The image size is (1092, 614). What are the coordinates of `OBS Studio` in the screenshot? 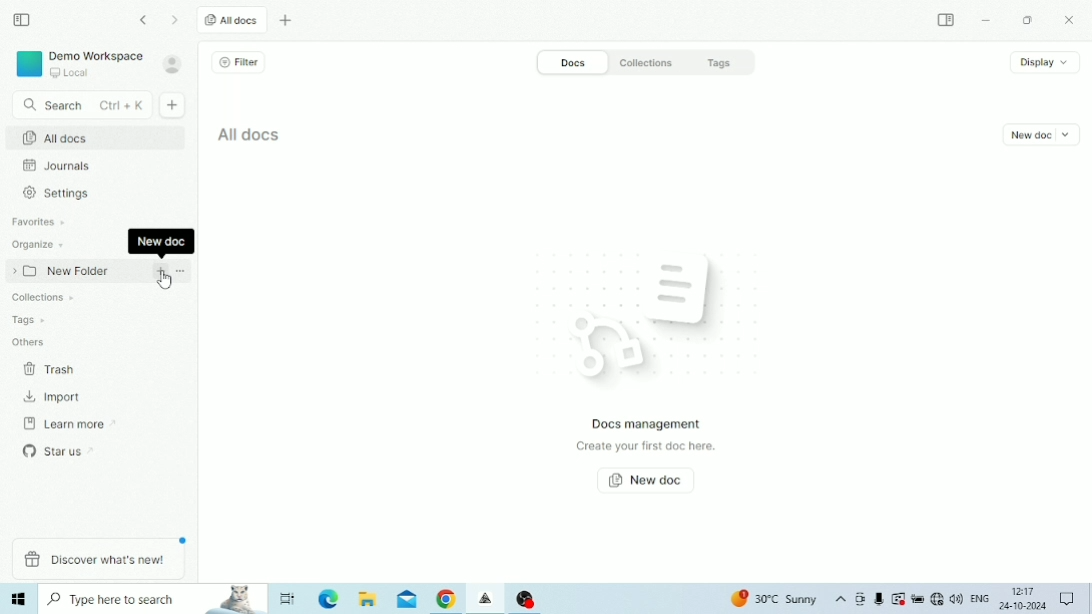 It's located at (526, 598).